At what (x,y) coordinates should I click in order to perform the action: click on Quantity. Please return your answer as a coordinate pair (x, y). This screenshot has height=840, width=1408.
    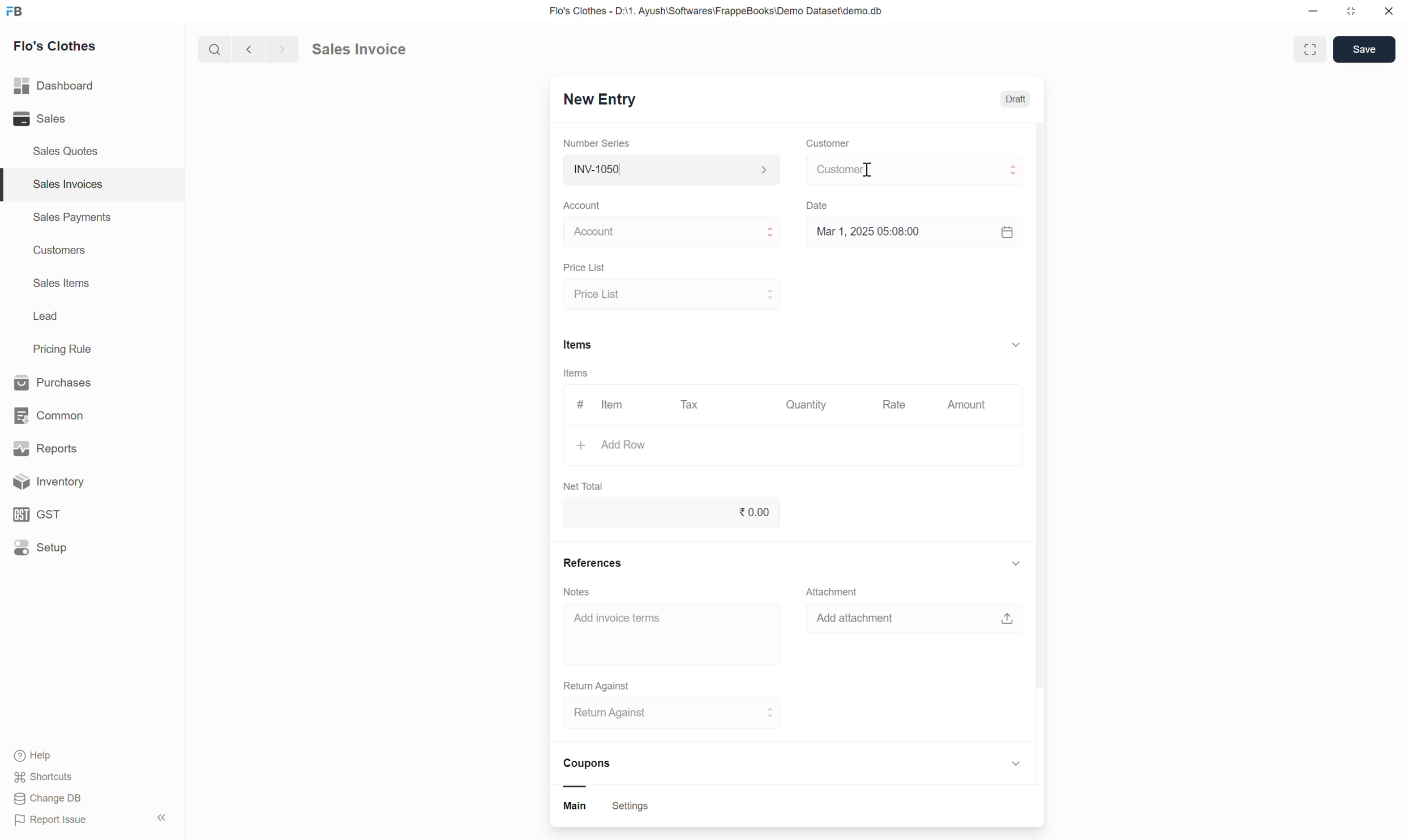
    Looking at the image, I should click on (810, 406).